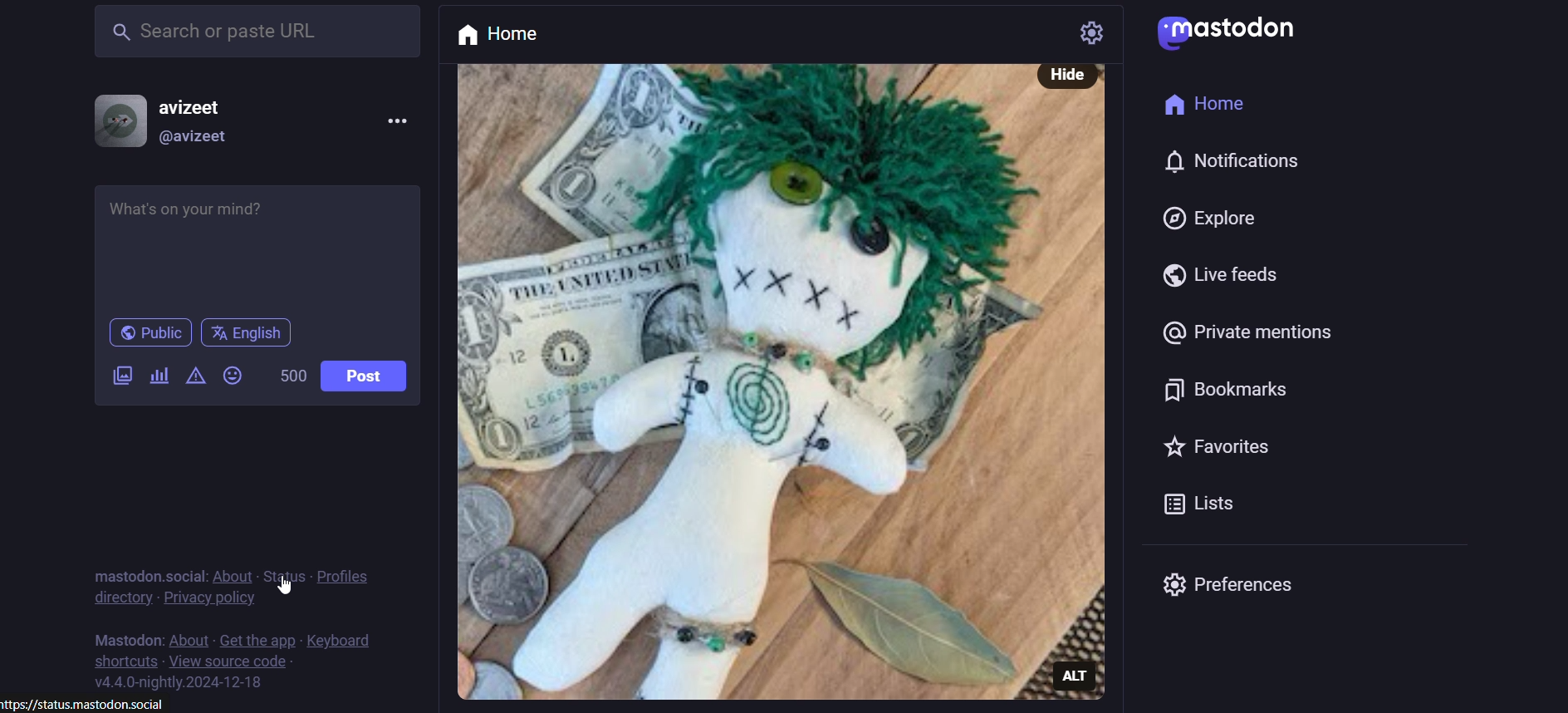 The height and width of the screenshot is (713, 1568). Describe the element at coordinates (354, 634) in the screenshot. I see `keyboard` at that location.